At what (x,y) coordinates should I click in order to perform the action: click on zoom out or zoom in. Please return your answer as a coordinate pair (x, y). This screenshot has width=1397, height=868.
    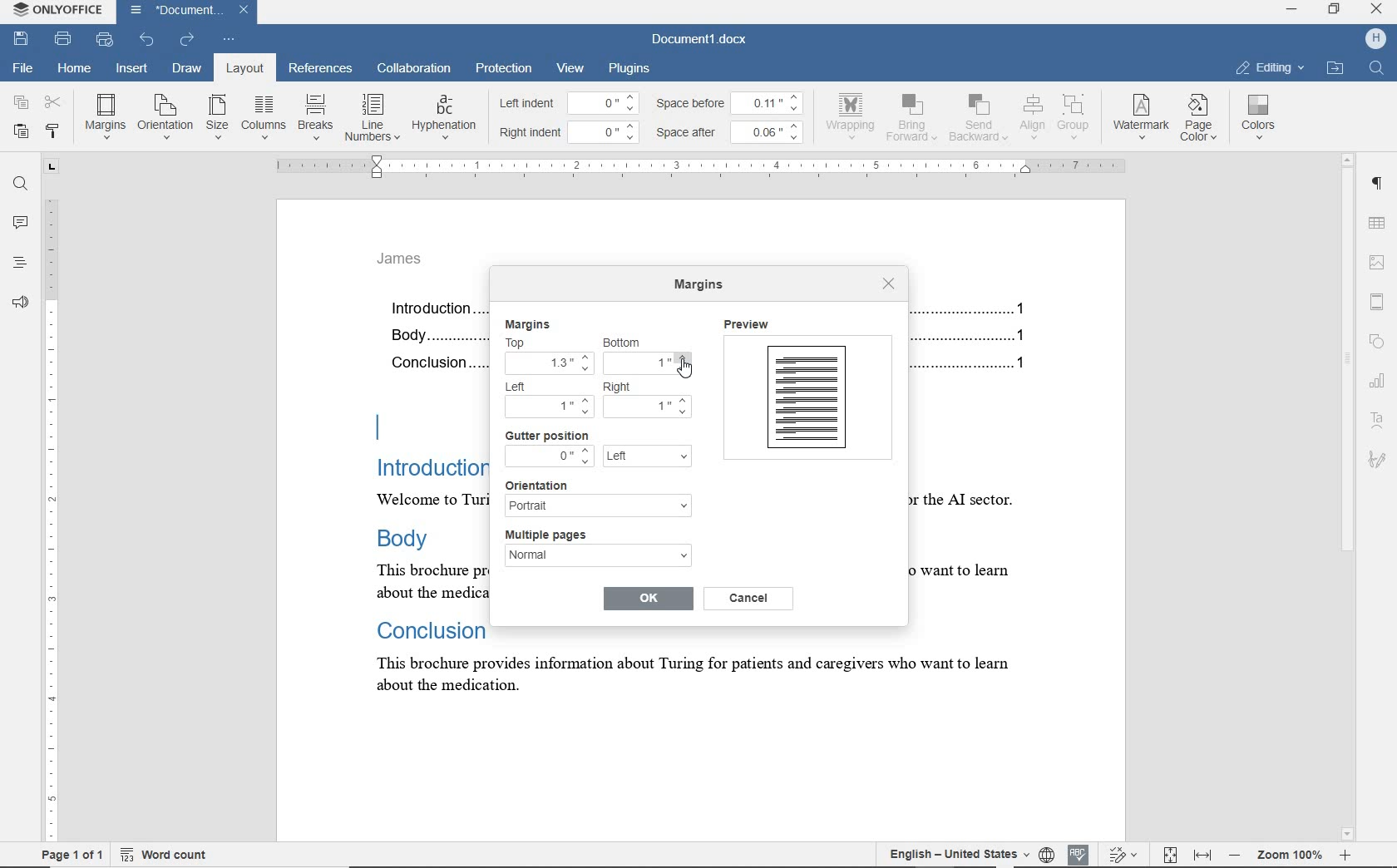
    Looking at the image, I should click on (1290, 854).